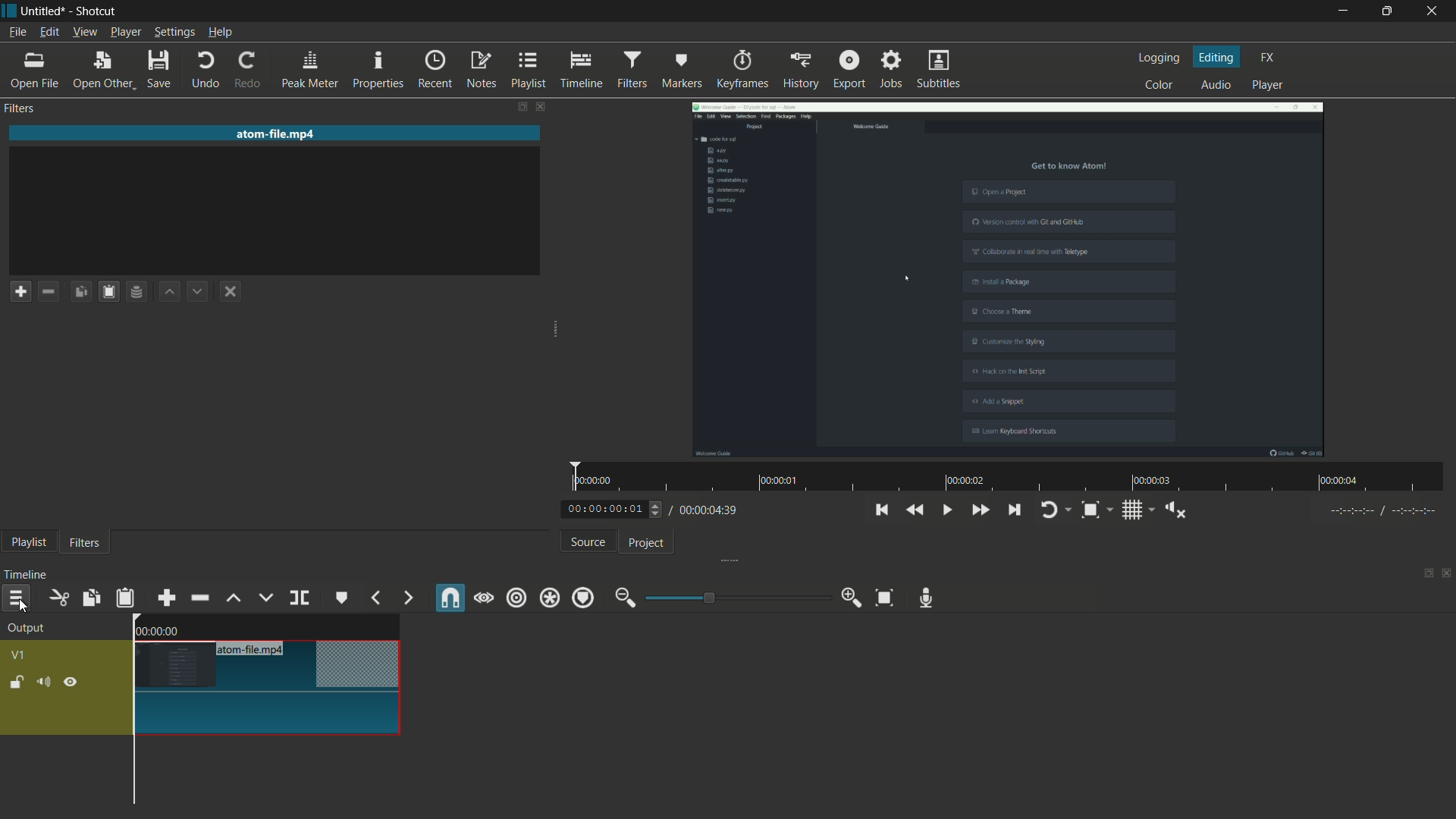  I want to click on quickly play forward, so click(979, 510).